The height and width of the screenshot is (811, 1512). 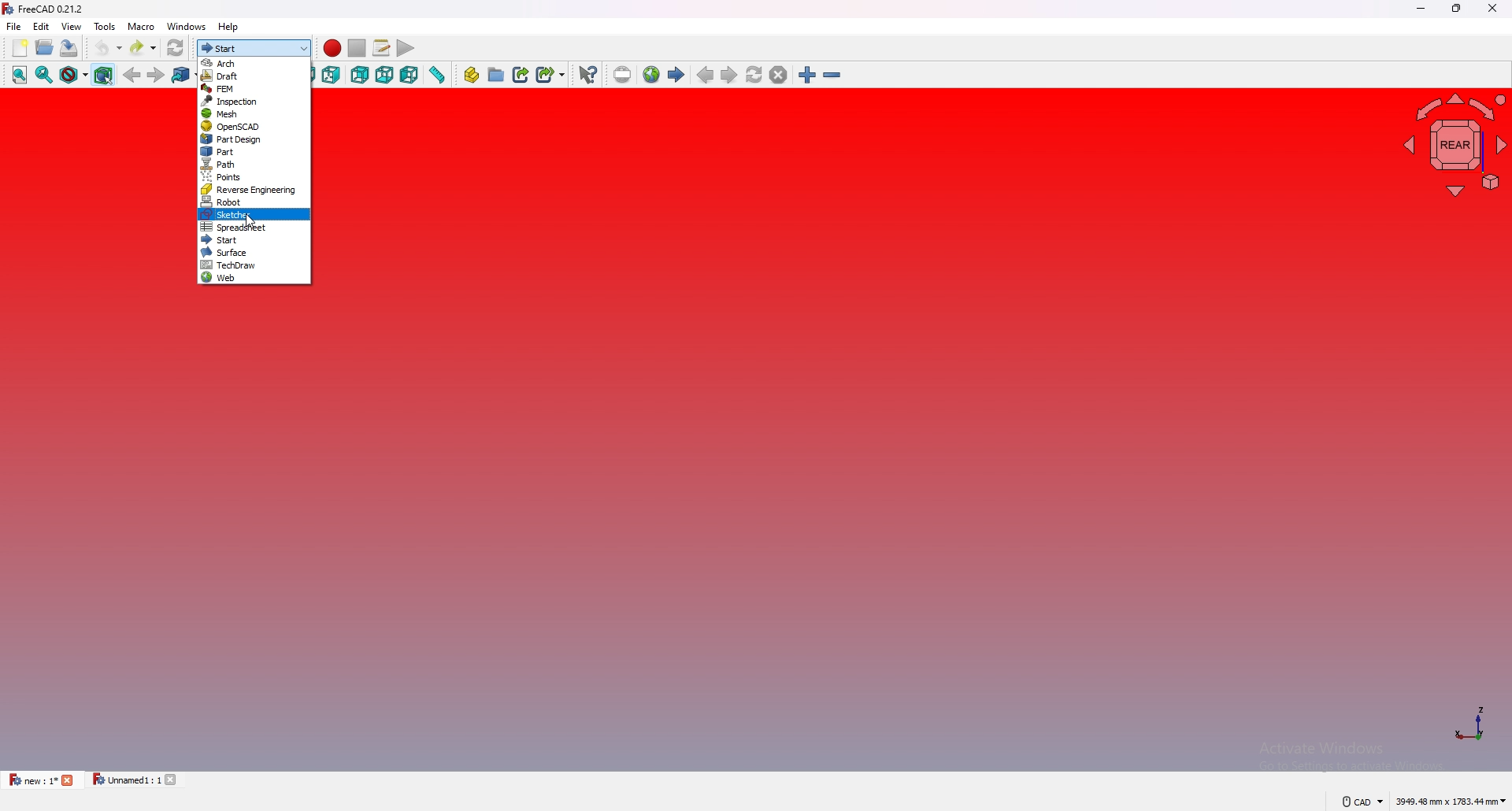 What do you see at coordinates (755, 76) in the screenshot?
I see `refresh web page` at bounding box center [755, 76].